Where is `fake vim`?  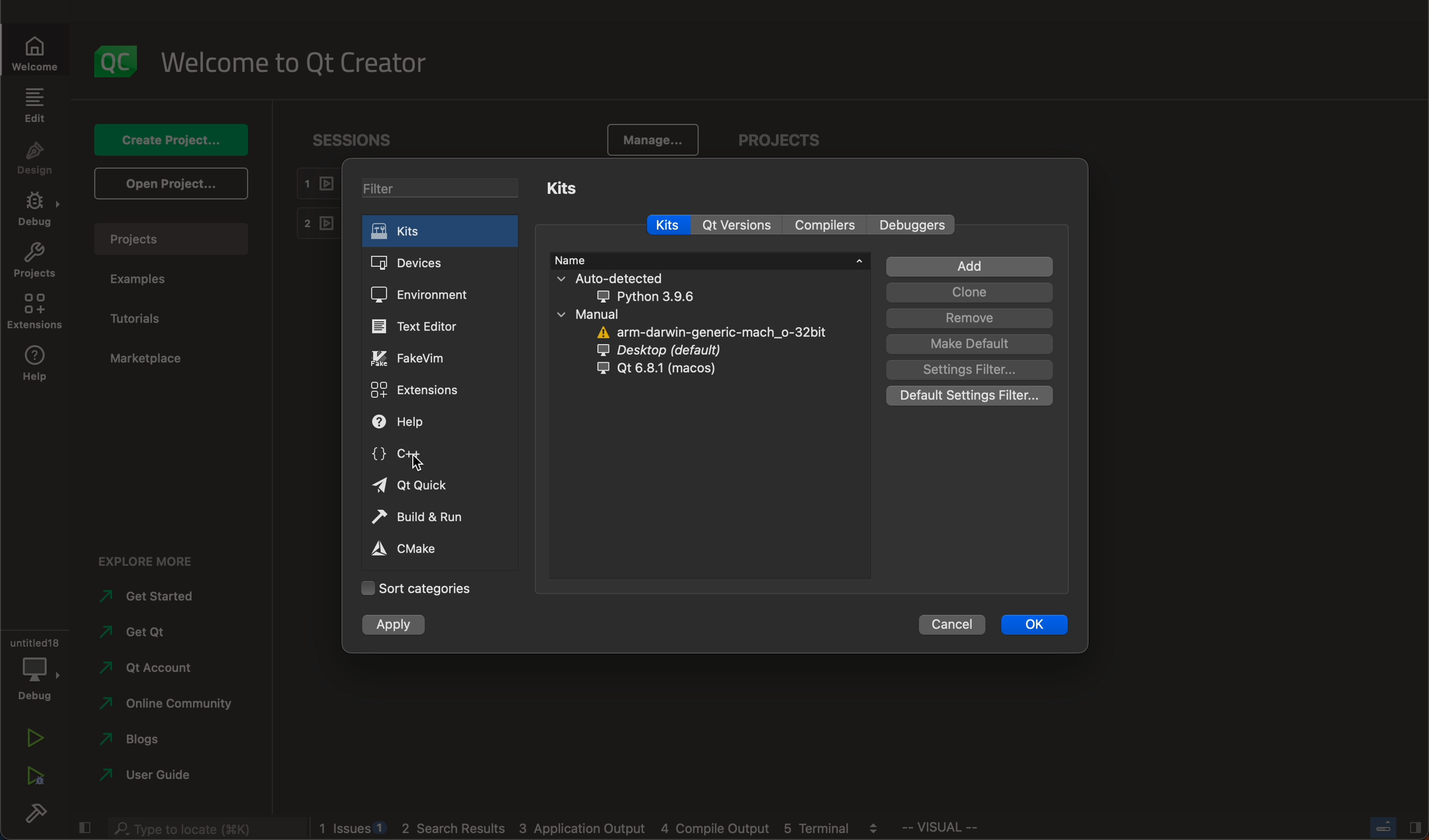
fake vim is located at coordinates (420, 358).